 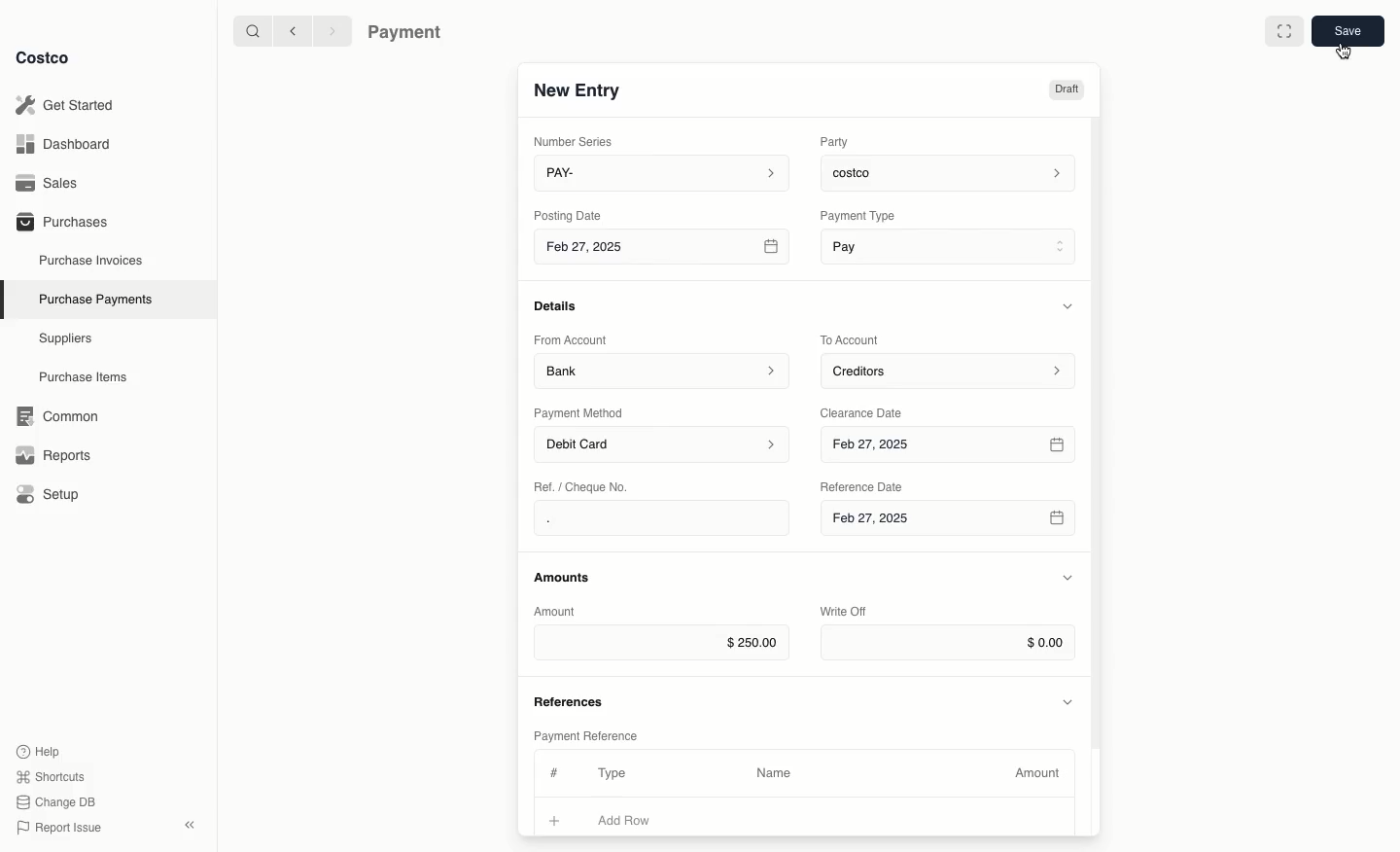 What do you see at coordinates (863, 486) in the screenshot?
I see `‘Reference Date` at bounding box center [863, 486].